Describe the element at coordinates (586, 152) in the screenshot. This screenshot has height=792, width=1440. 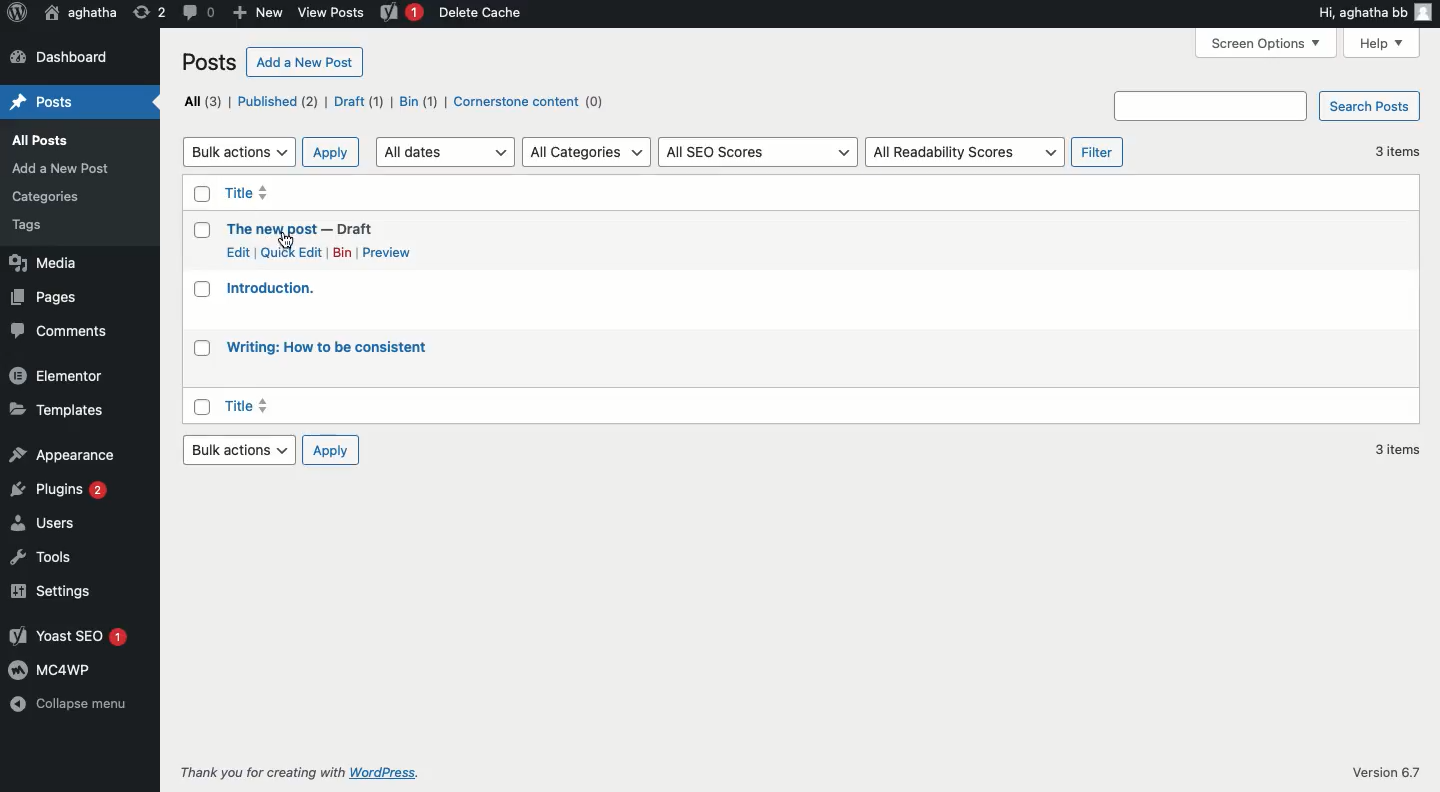
I see `All categories` at that location.